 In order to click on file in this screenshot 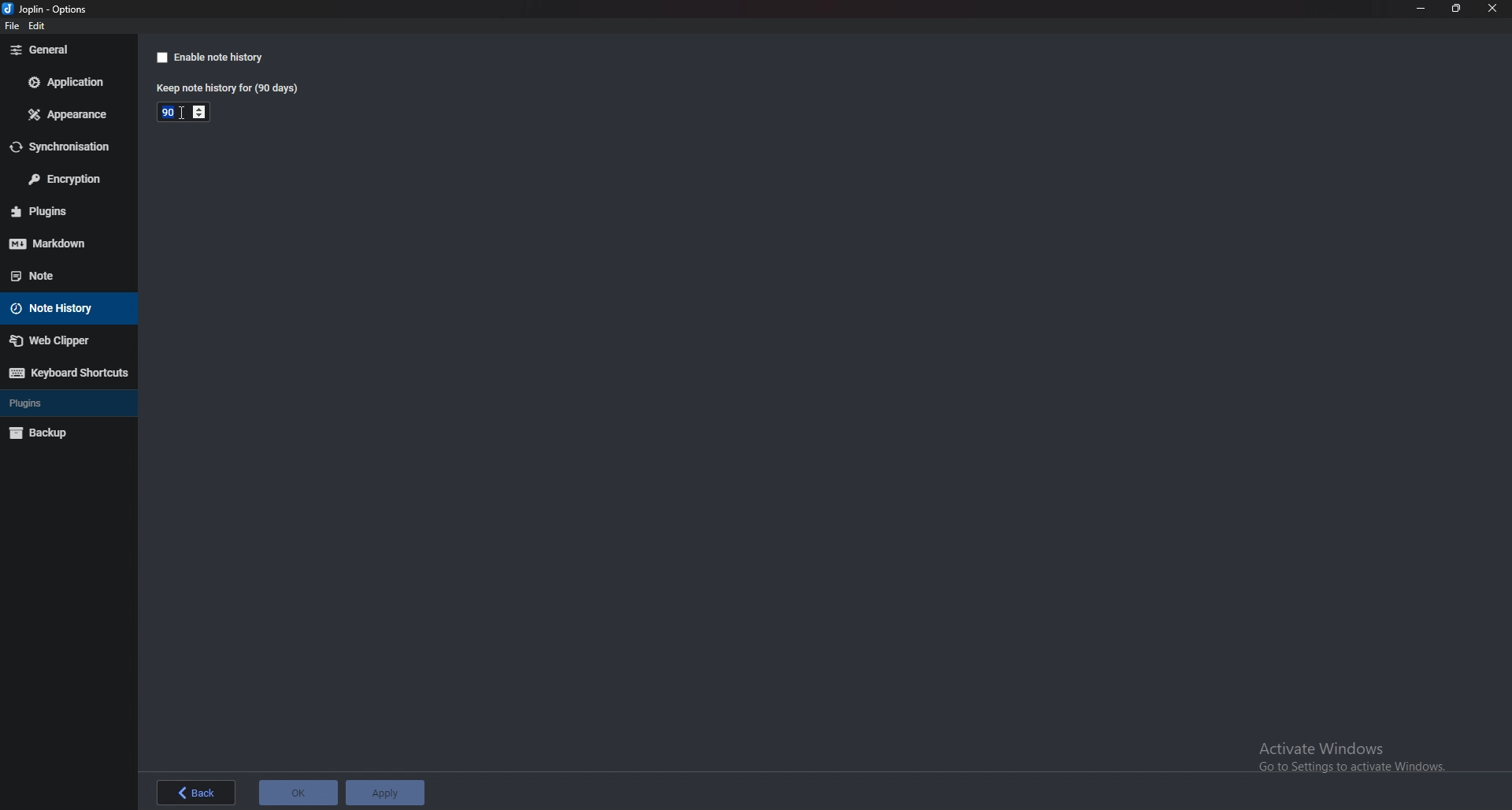, I will do `click(9, 27)`.